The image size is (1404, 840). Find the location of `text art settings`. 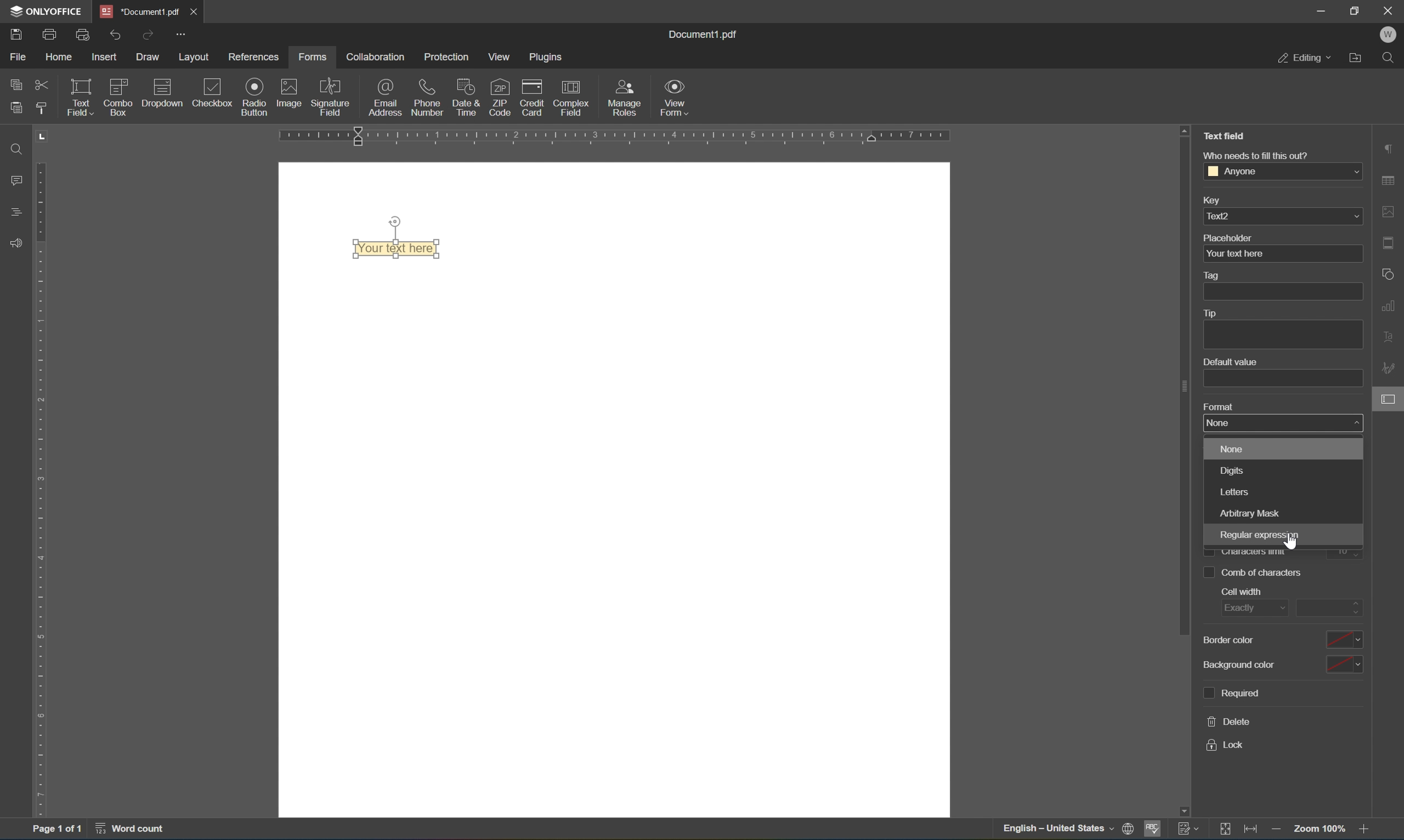

text art settings is located at coordinates (1388, 340).